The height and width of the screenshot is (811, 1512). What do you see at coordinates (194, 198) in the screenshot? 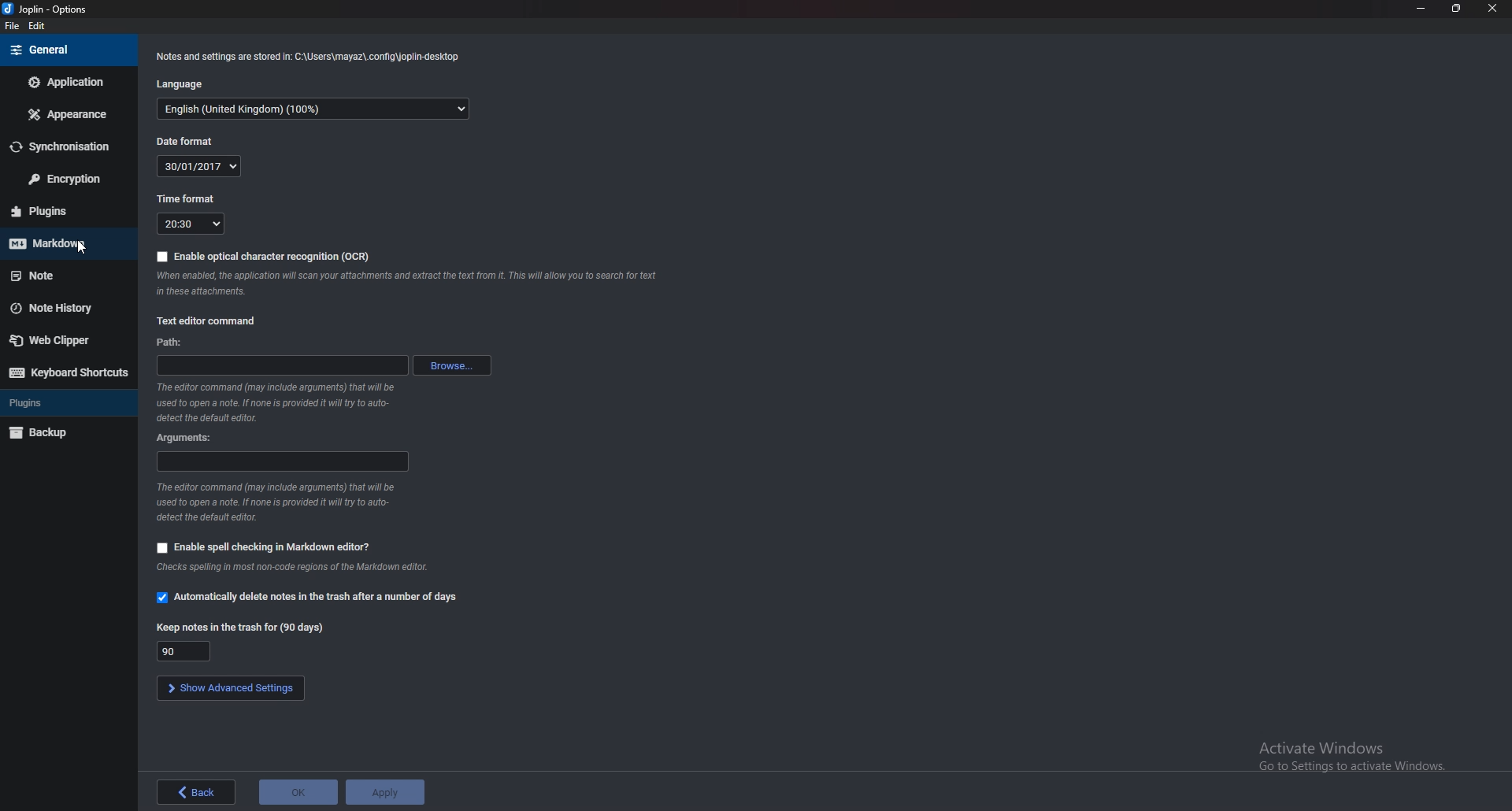
I see `Time format` at bounding box center [194, 198].